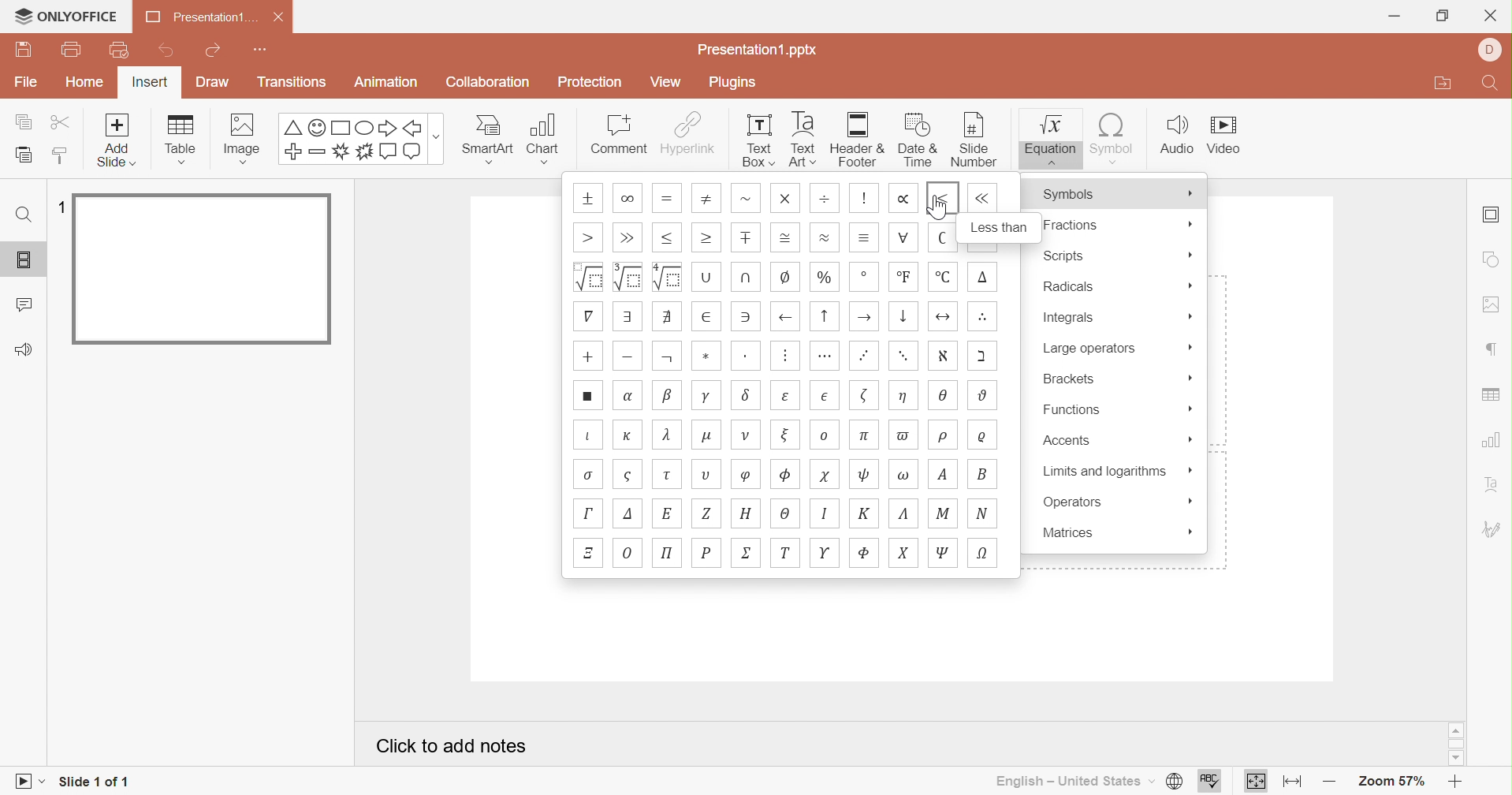  Describe the element at coordinates (34, 49) in the screenshot. I see `Save` at that location.